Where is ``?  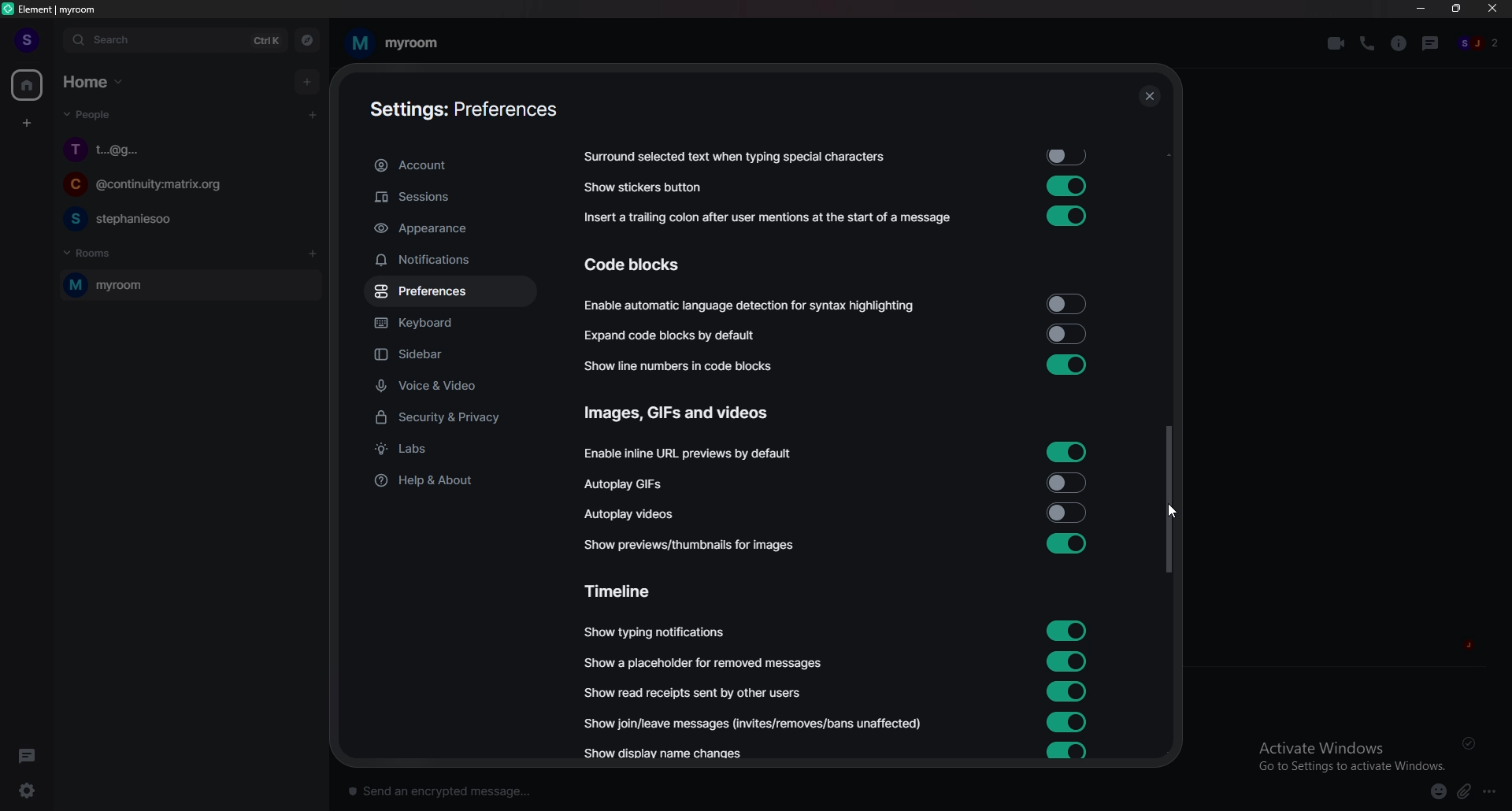
 is located at coordinates (1473, 743).